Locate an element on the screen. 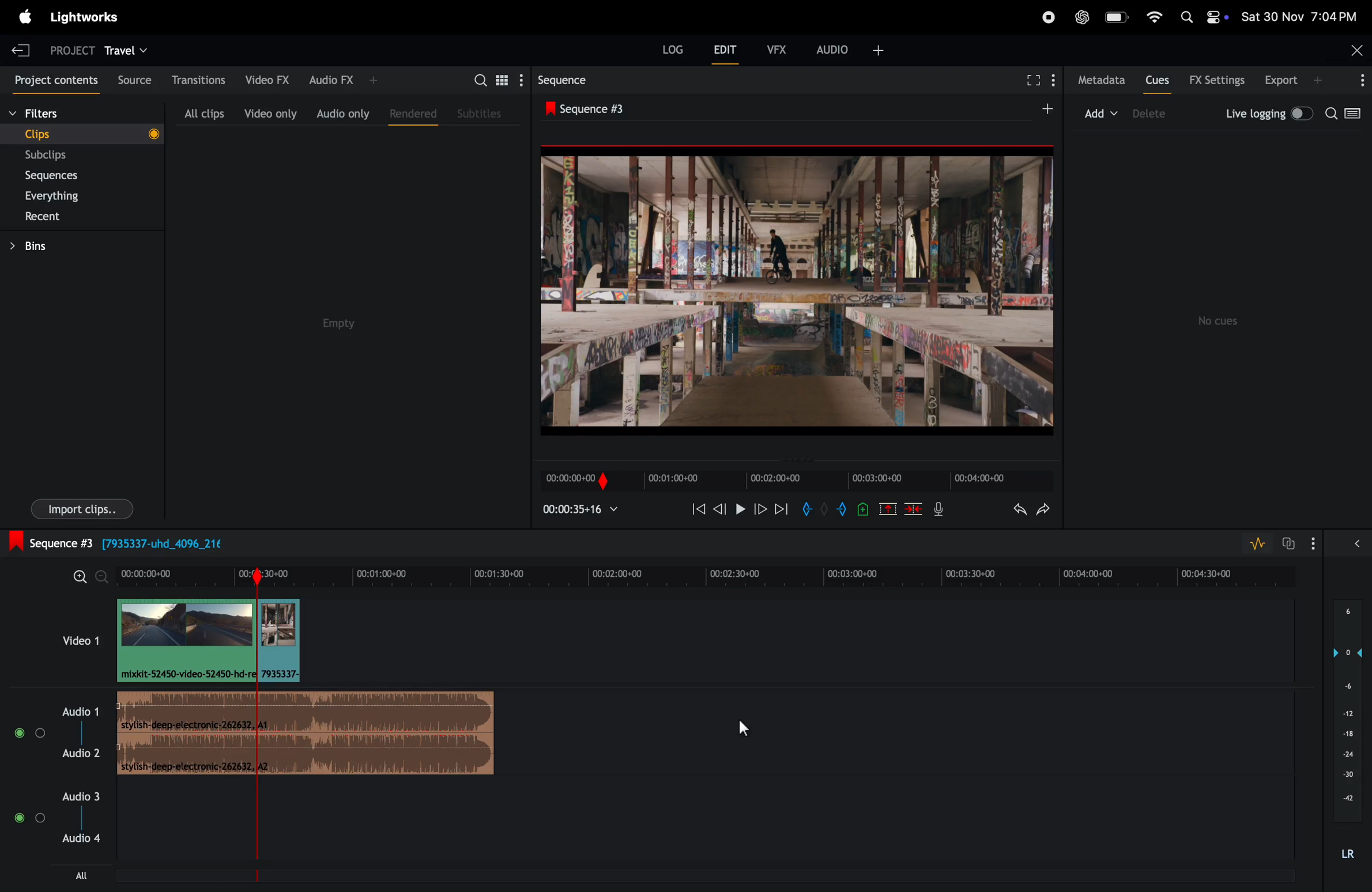 This screenshot has height=892, width=1372. delete is located at coordinates (914, 509).